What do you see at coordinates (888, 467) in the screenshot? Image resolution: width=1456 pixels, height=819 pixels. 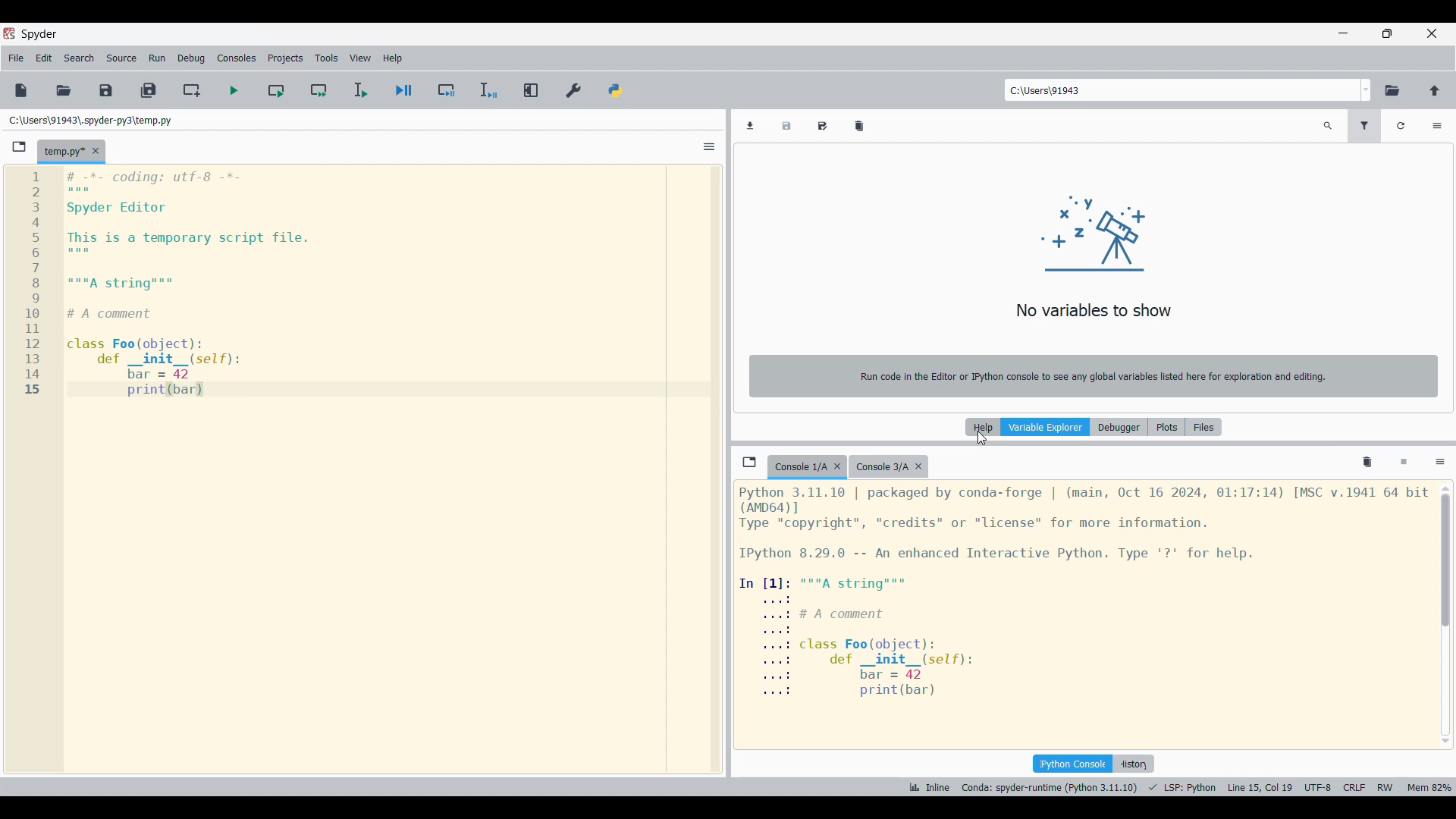 I see `Other tab` at bounding box center [888, 467].